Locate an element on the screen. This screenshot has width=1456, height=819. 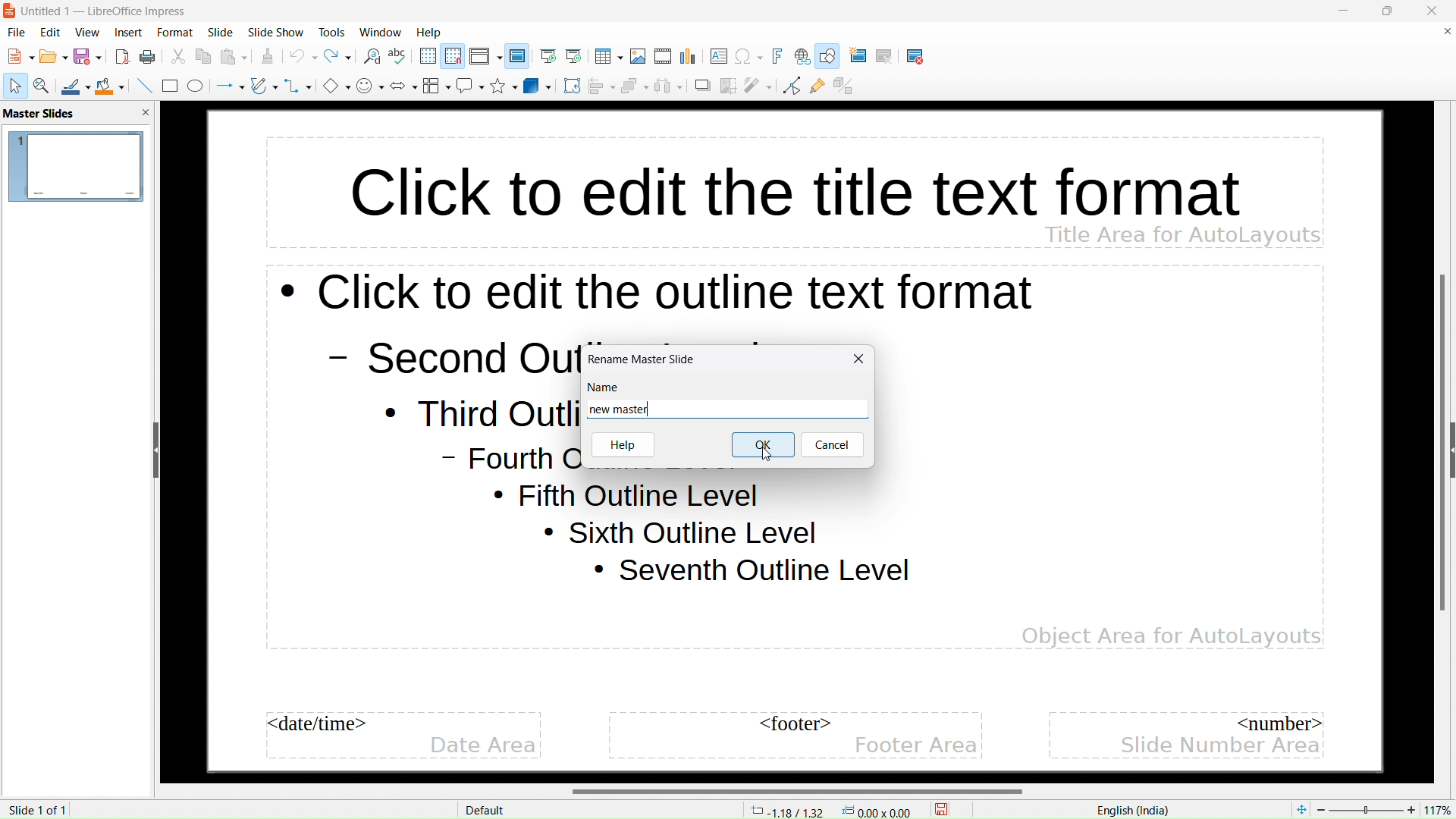
lines and arrows is located at coordinates (230, 86).